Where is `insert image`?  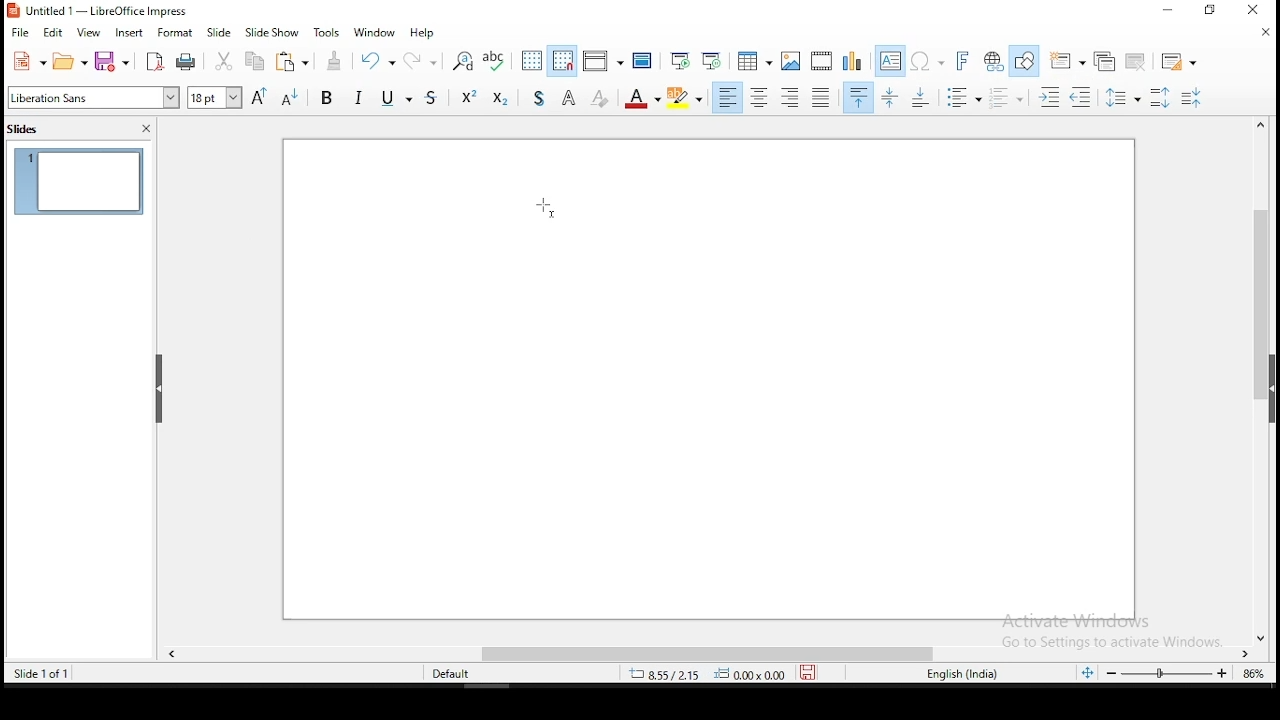 insert image is located at coordinates (792, 61).